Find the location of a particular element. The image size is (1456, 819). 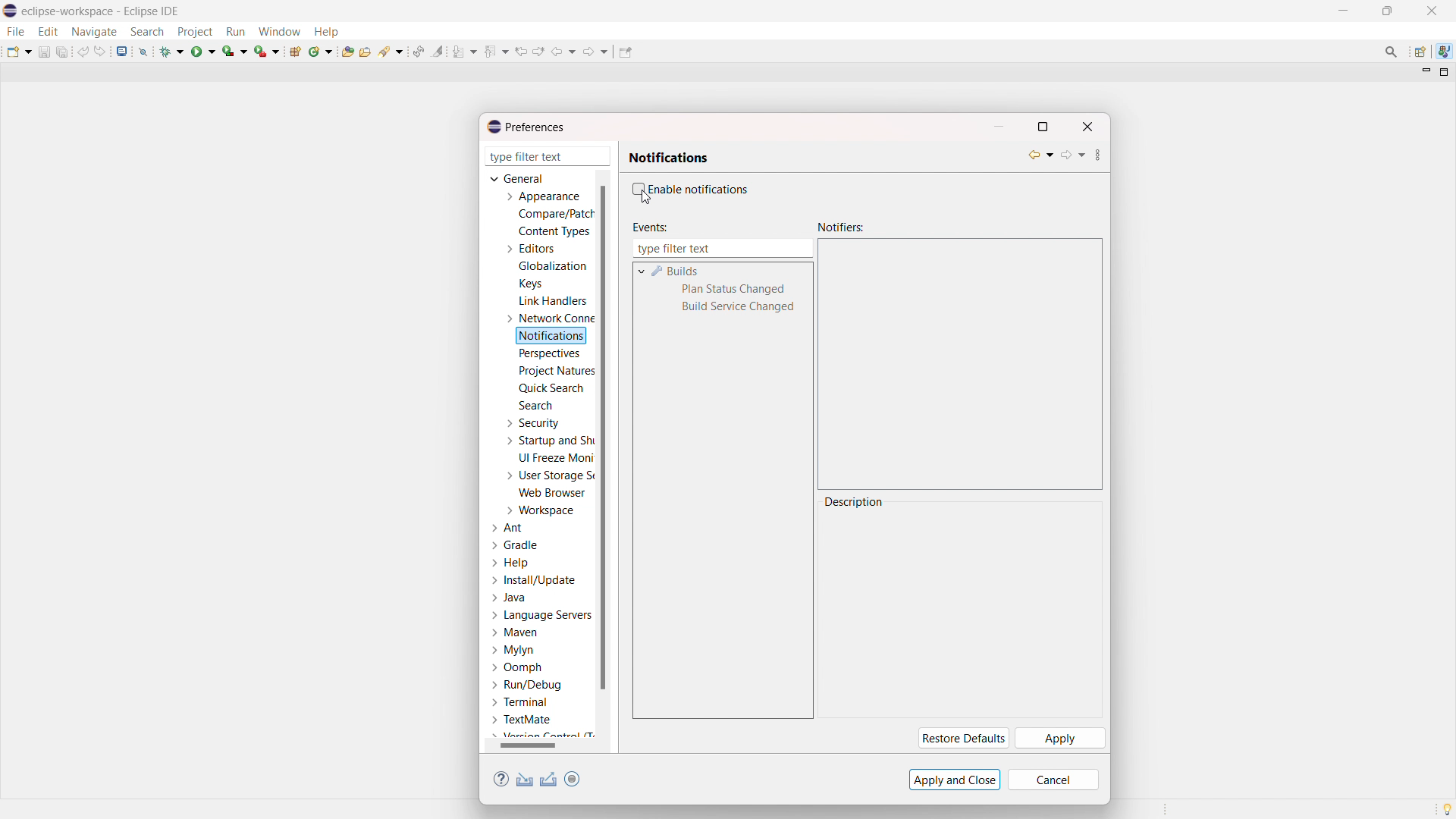

search is located at coordinates (147, 32).